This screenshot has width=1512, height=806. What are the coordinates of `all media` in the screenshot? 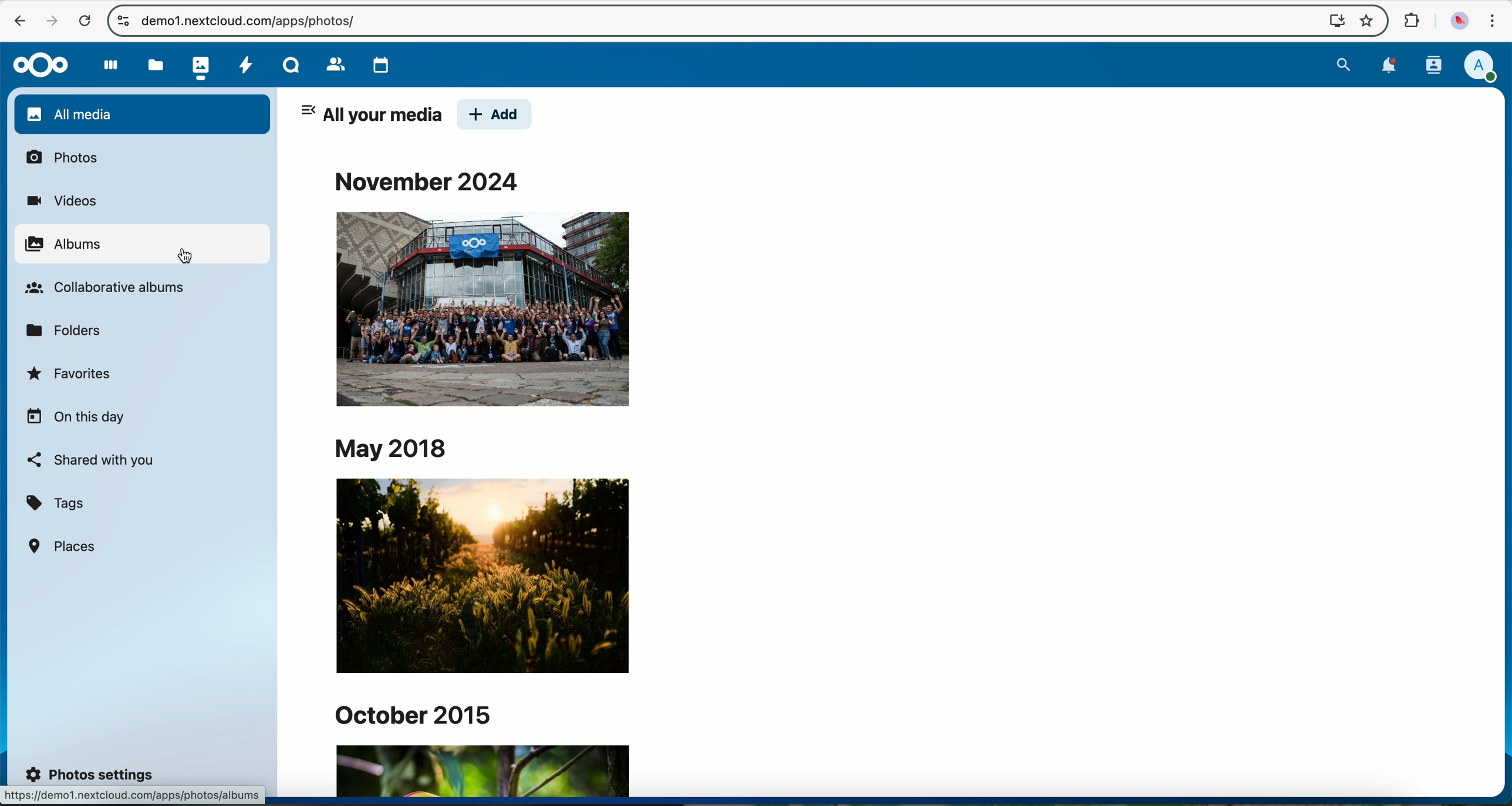 It's located at (141, 114).